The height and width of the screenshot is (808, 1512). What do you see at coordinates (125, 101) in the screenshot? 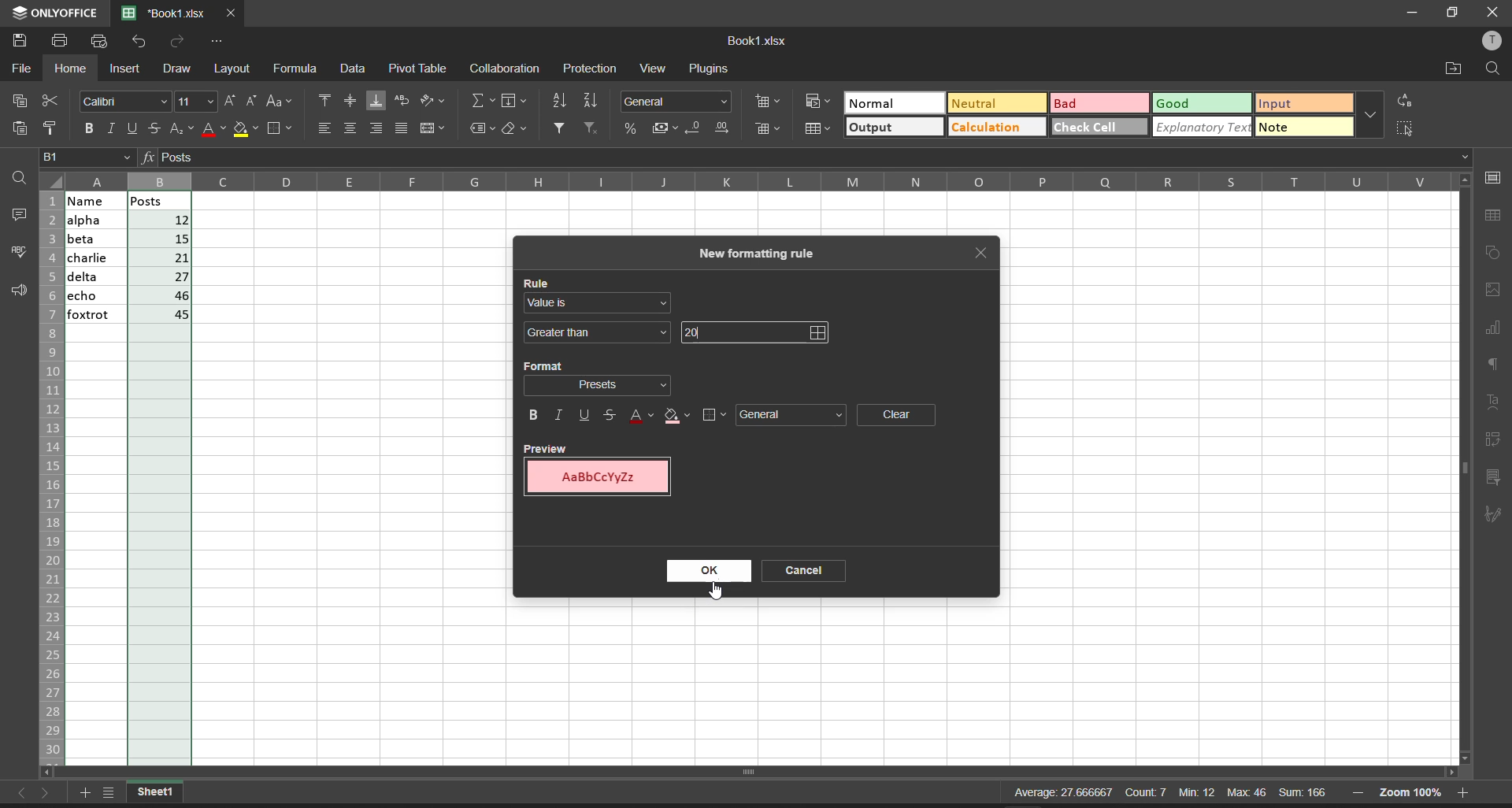
I see `font` at bounding box center [125, 101].